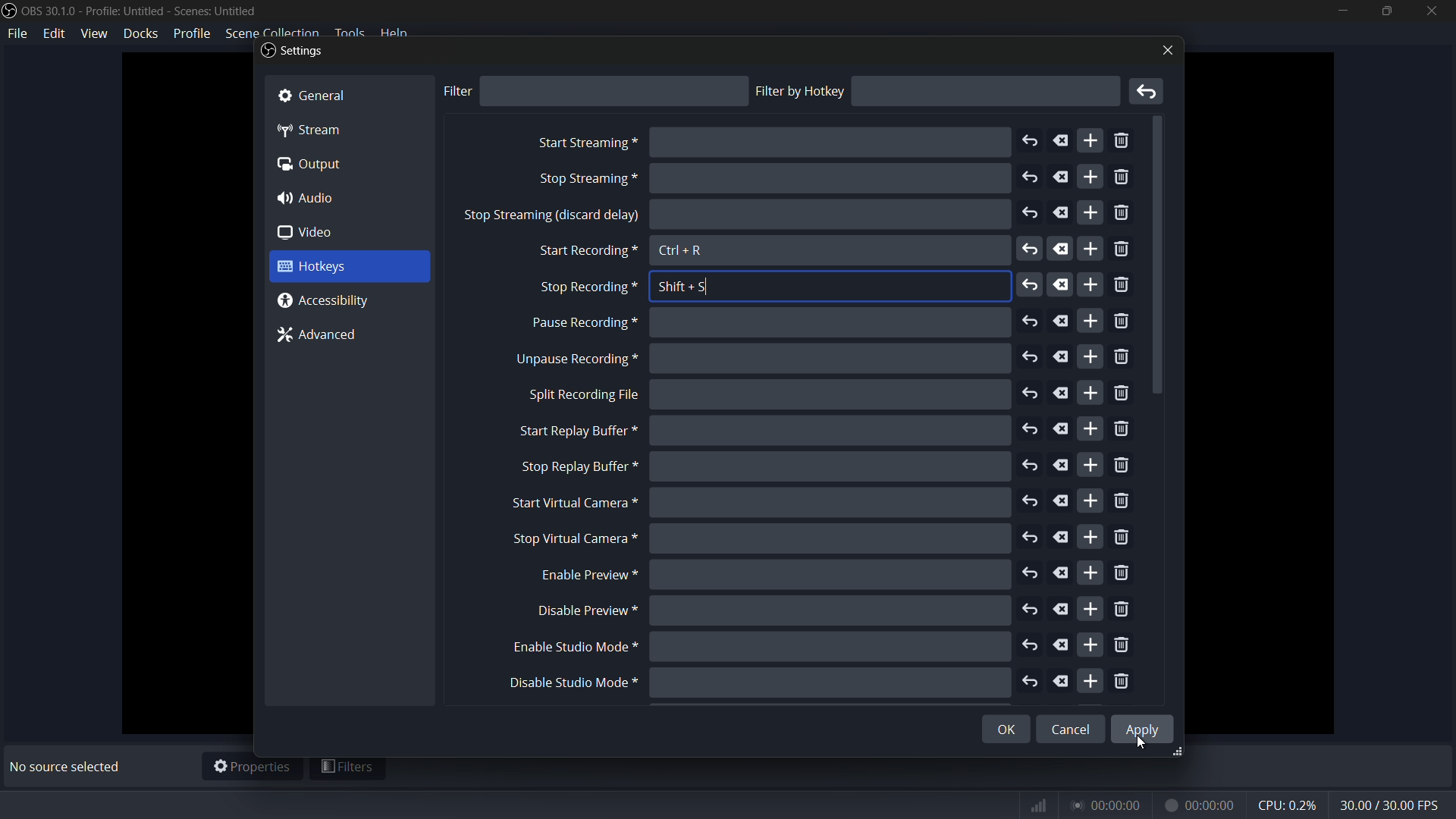 This screenshot has height=819, width=1456. I want to click on cursor, so click(1144, 744).